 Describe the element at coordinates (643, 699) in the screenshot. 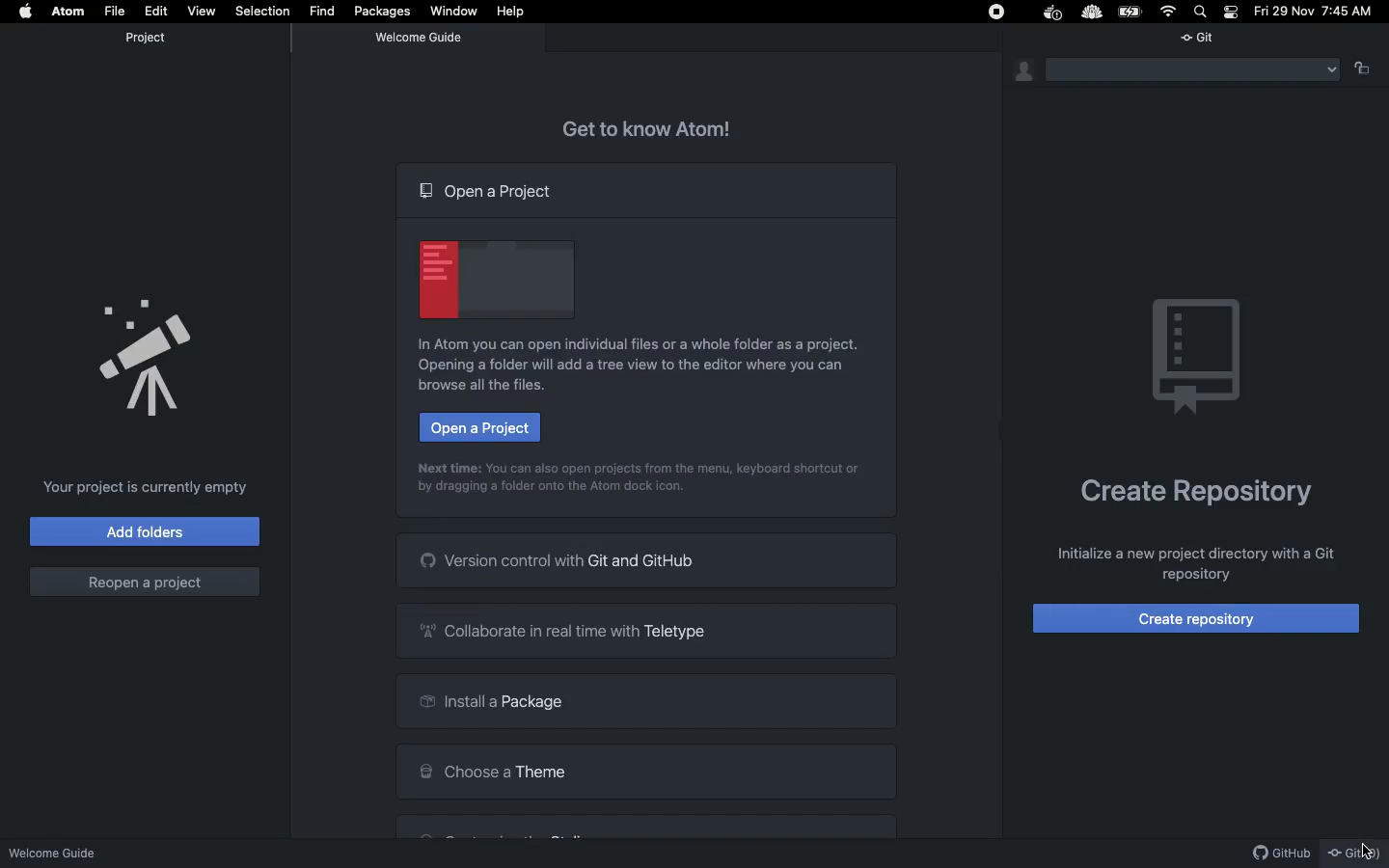

I see `Install a package` at that location.